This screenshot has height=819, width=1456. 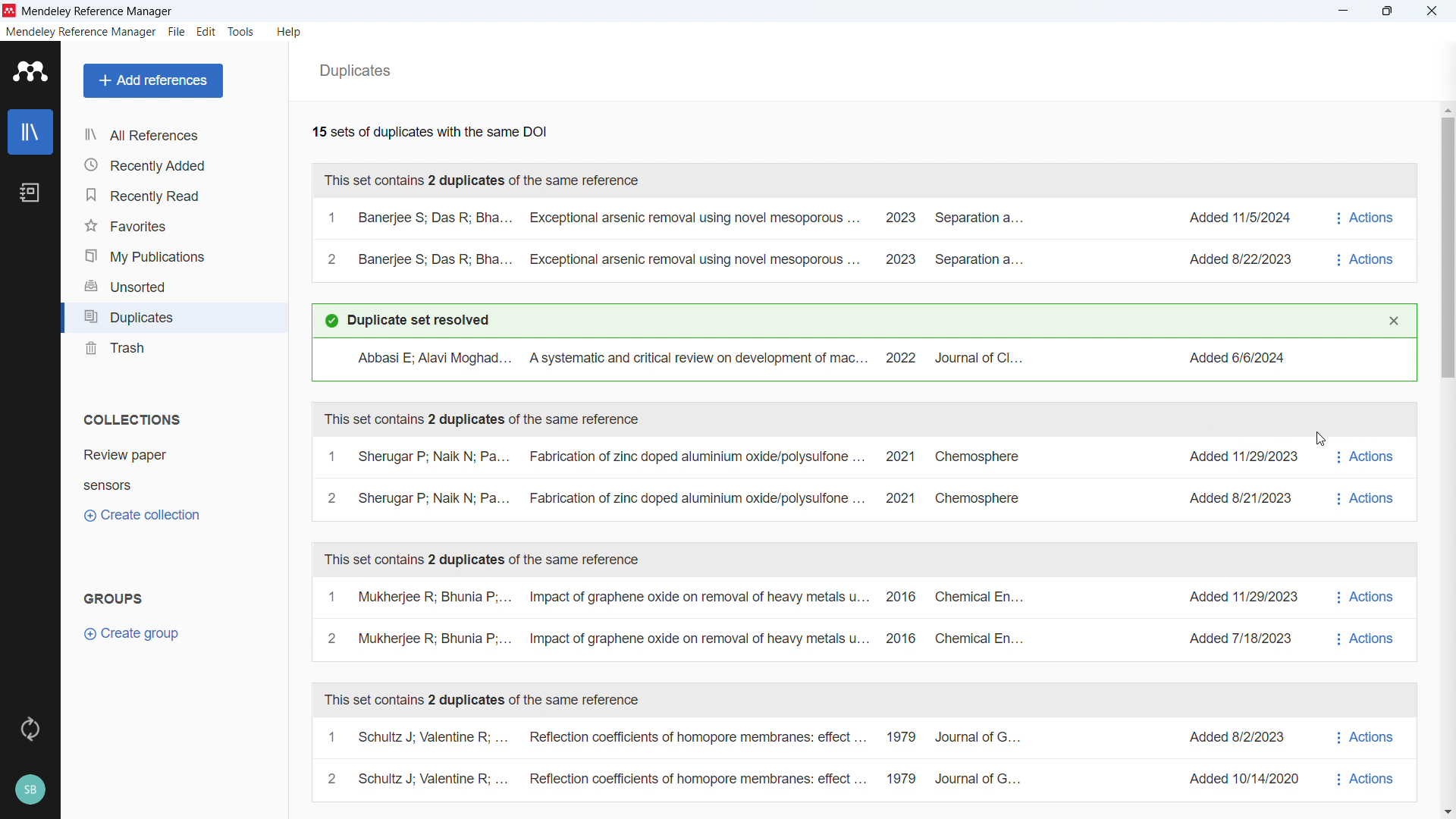 What do you see at coordinates (1395, 321) in the screenshot?
I see `close ` at bounding box center [1395, 321].